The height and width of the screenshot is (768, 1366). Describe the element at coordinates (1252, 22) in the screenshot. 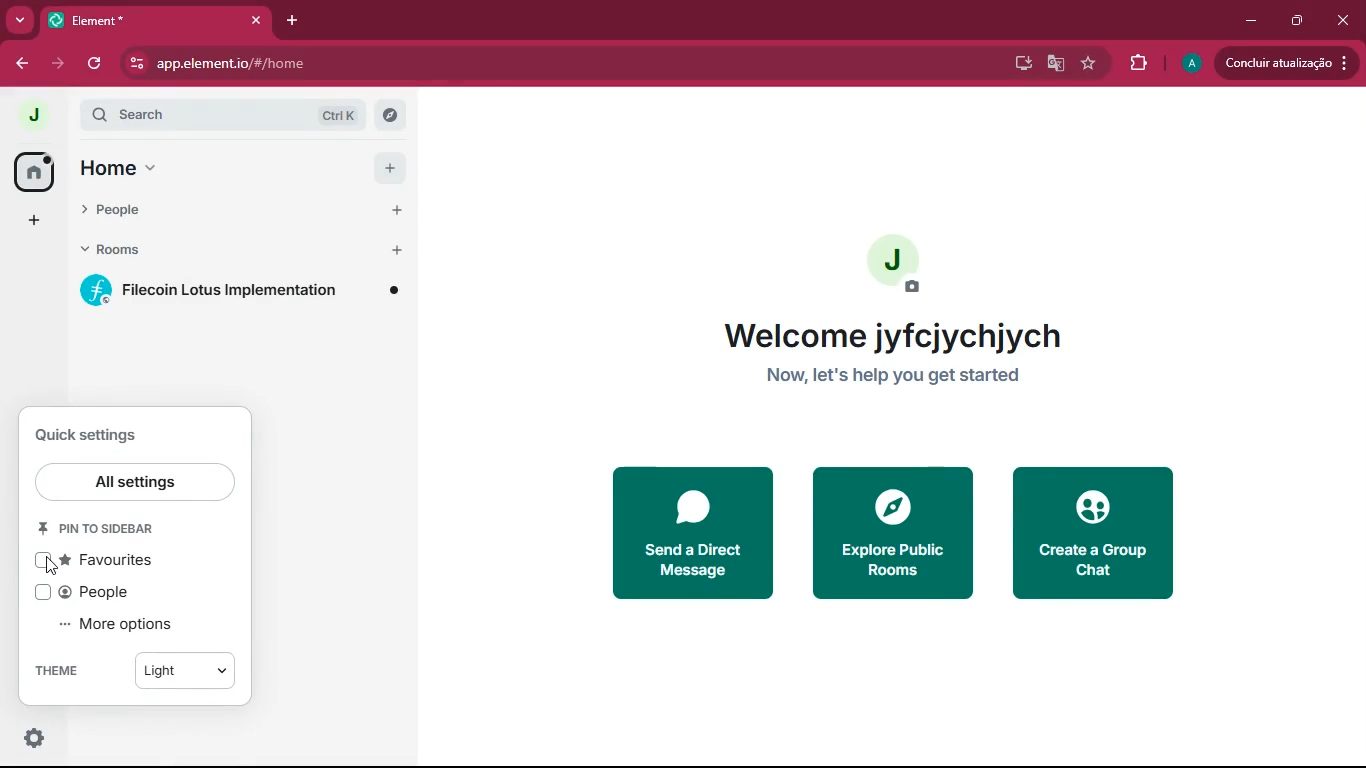

I see `minimize` at that location.